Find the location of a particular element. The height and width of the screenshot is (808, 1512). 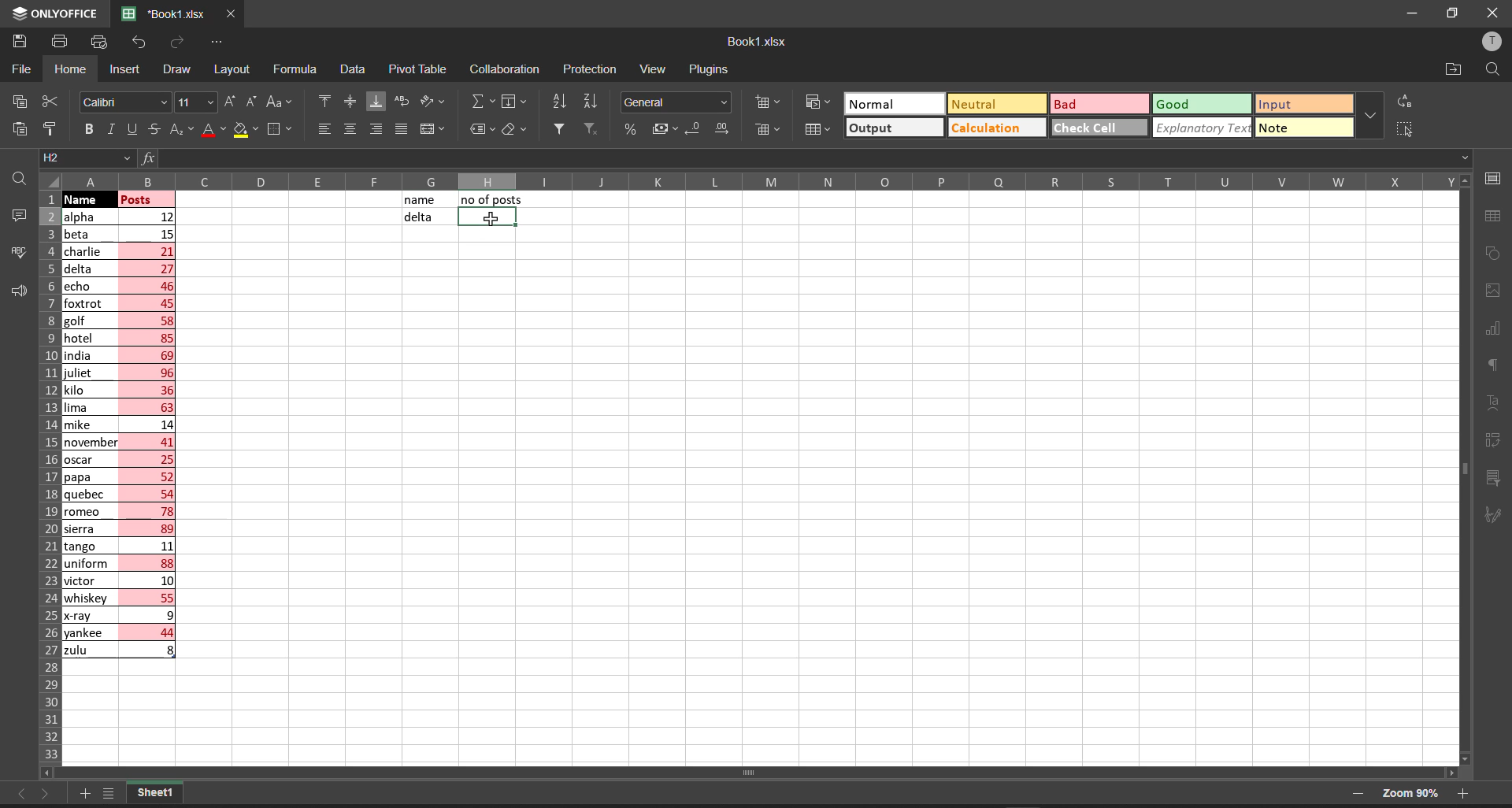

Neutral is located at coordinates (976, 103).